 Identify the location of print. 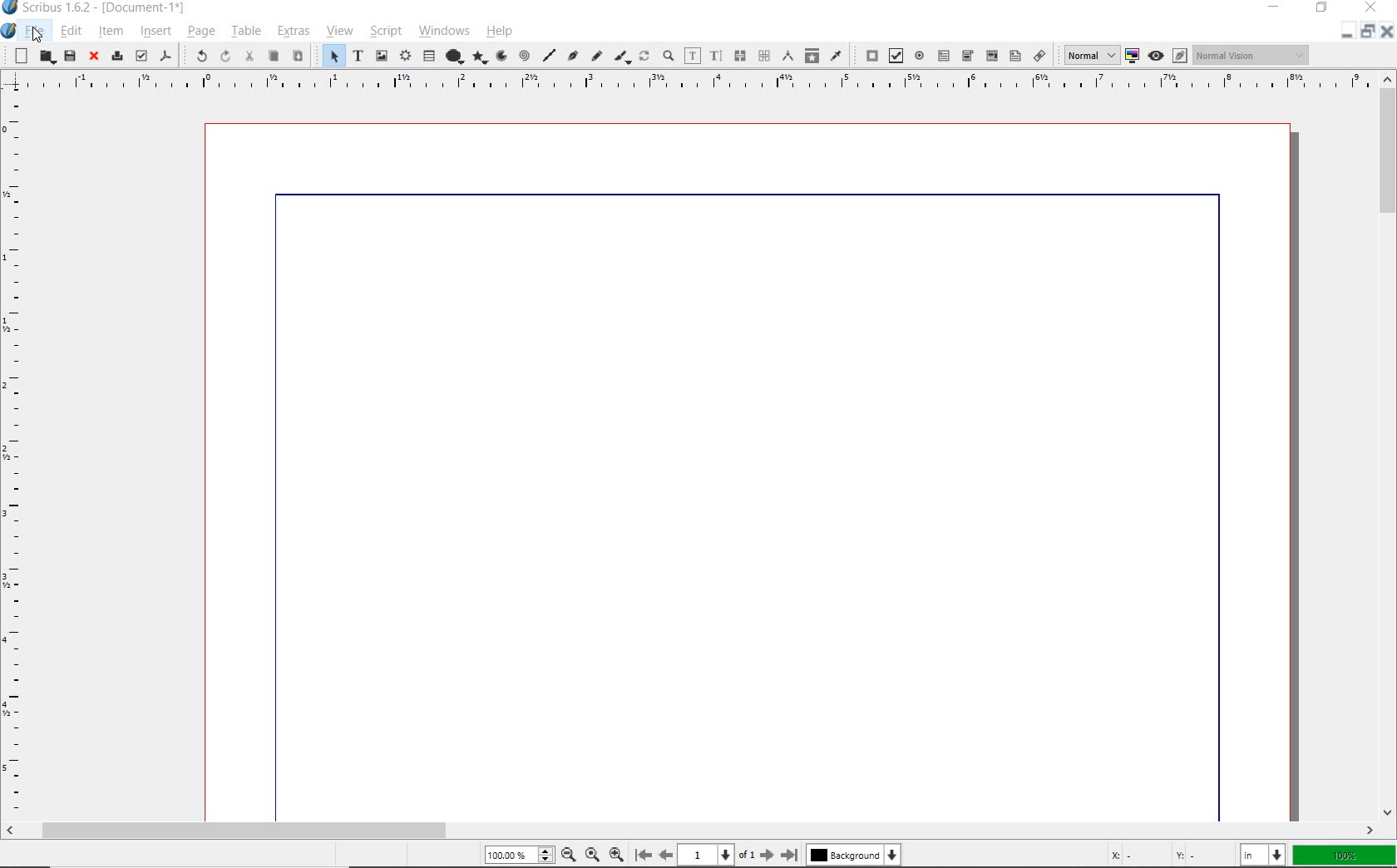
(116, 57).